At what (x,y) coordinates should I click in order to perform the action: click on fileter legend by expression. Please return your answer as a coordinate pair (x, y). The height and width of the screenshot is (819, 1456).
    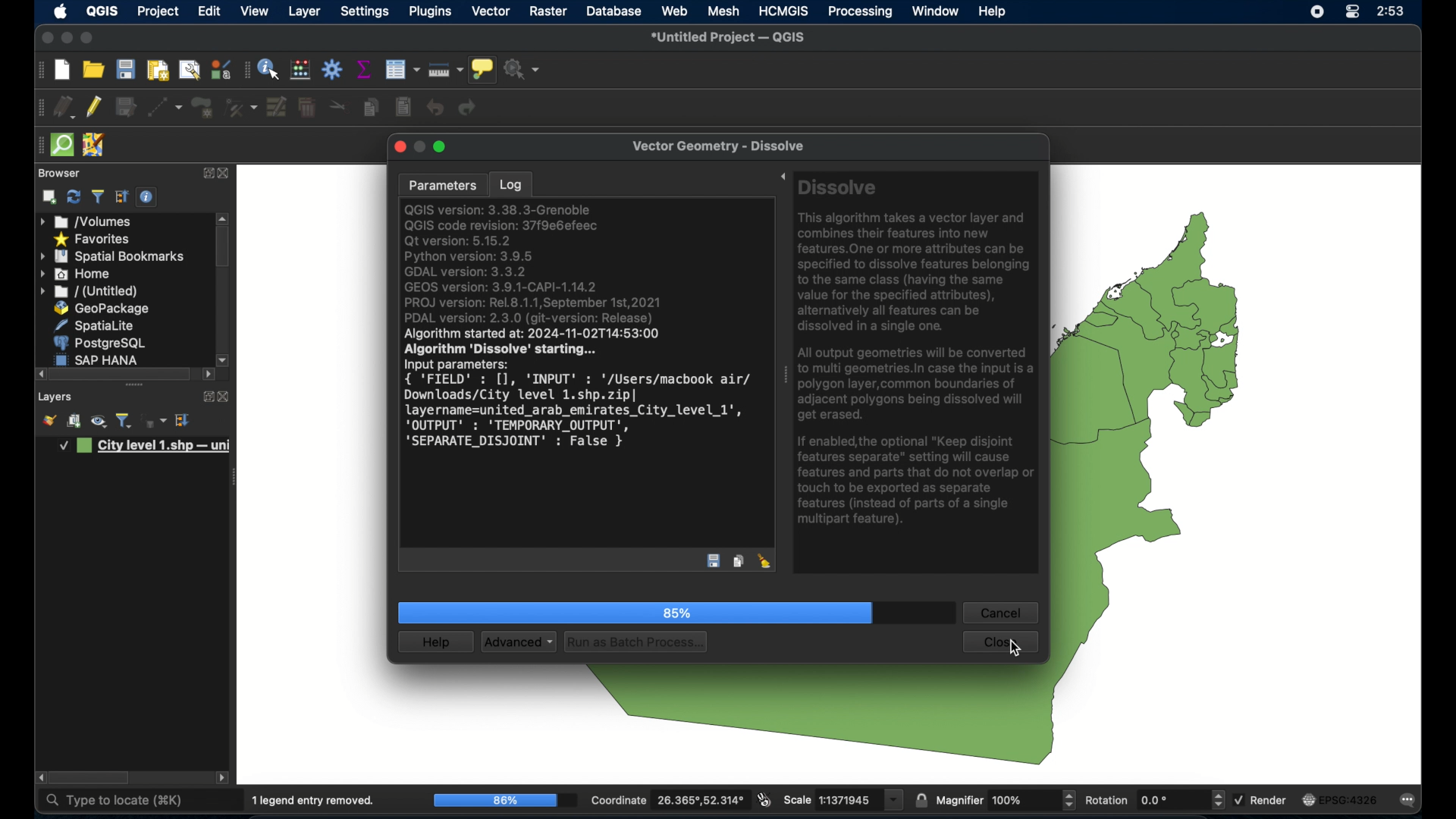
    Looking at the image, I should click on (155, 422).